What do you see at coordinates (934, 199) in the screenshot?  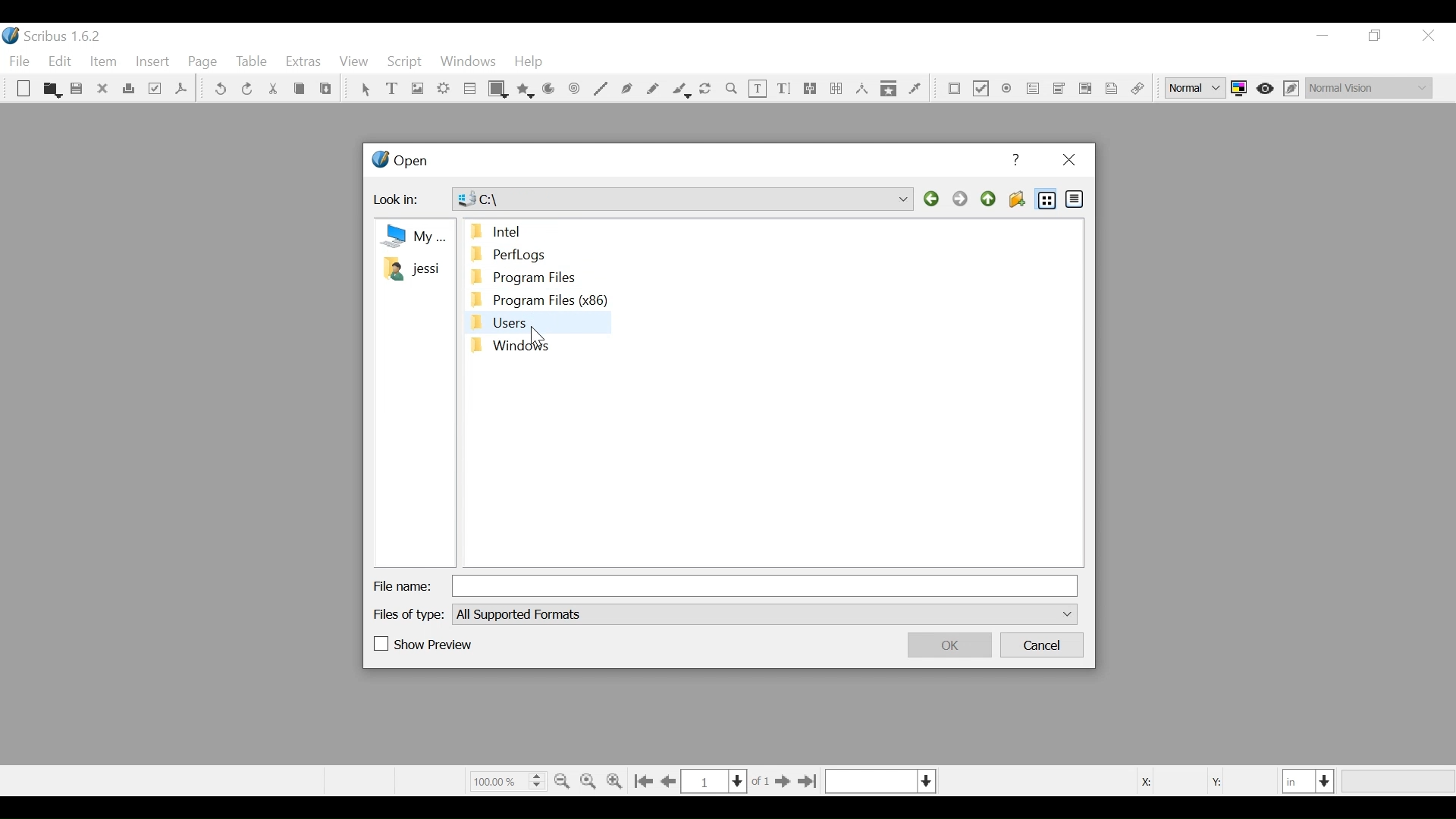 I see `Back` at bounding box center [934, 199].